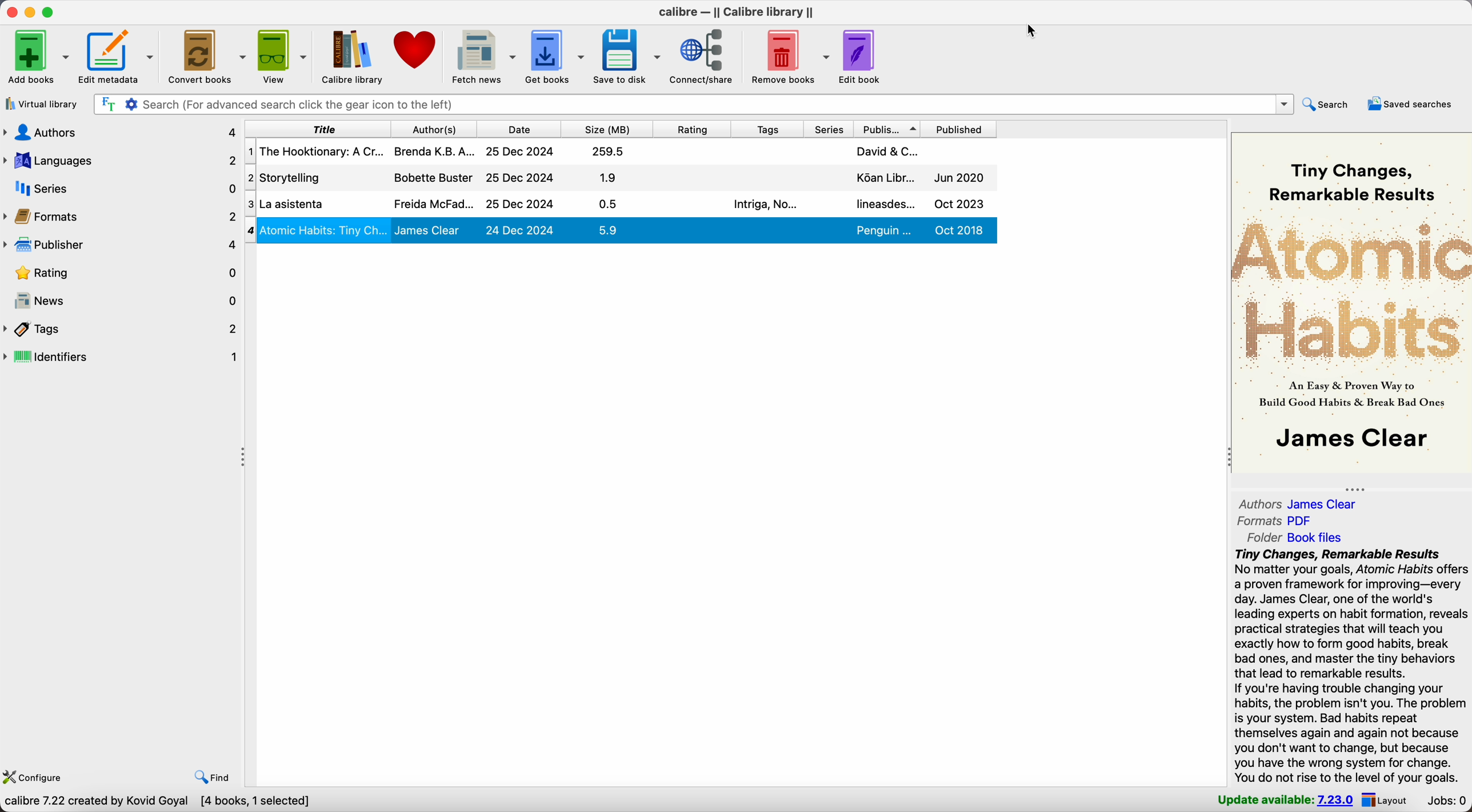 Image resolution: width=1472 pixels, height=812 pixels. I want to click on close Calibre, so click(10, 12).